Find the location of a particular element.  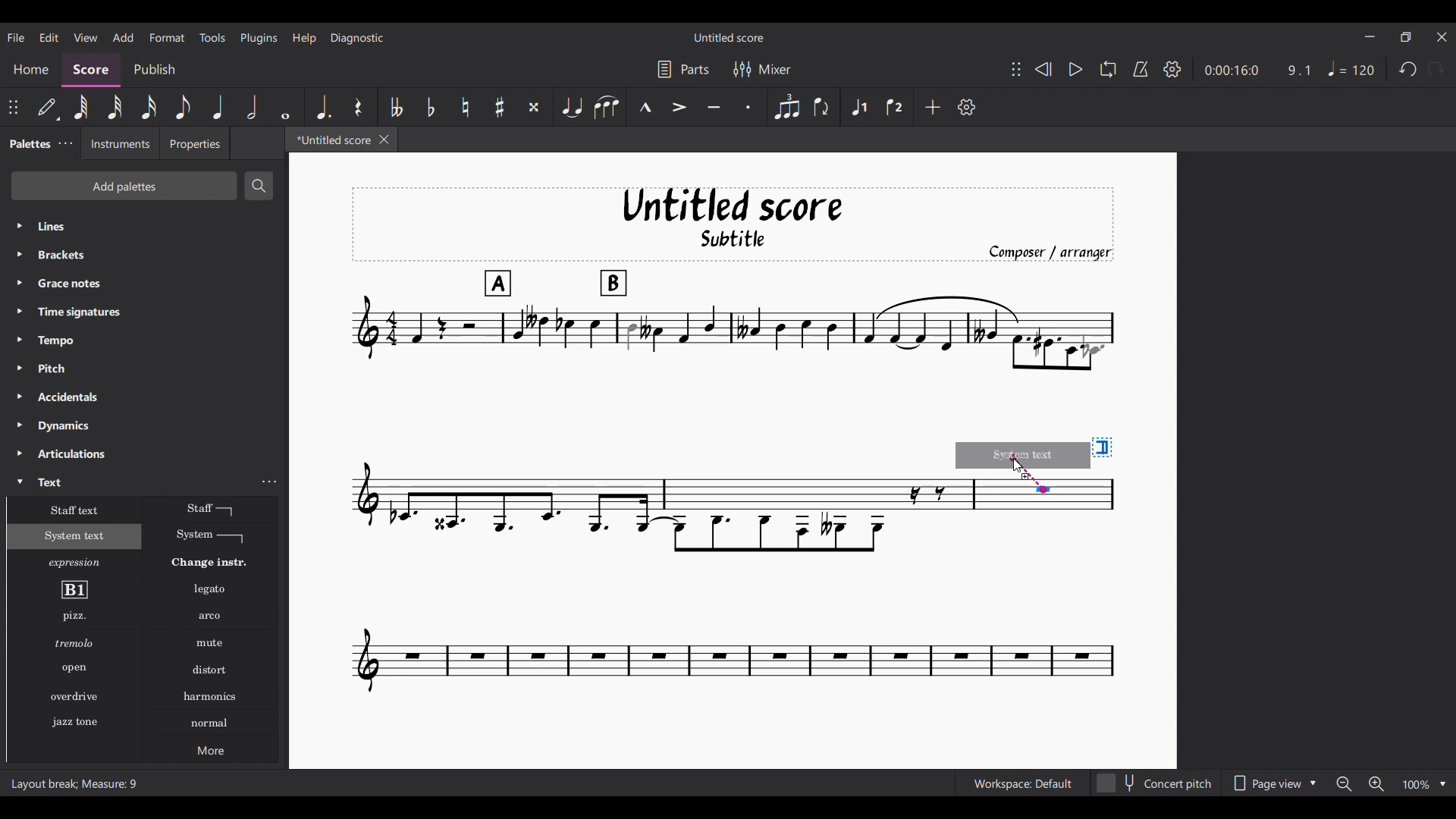

Voice 2 is located at coordinates (895, 107).